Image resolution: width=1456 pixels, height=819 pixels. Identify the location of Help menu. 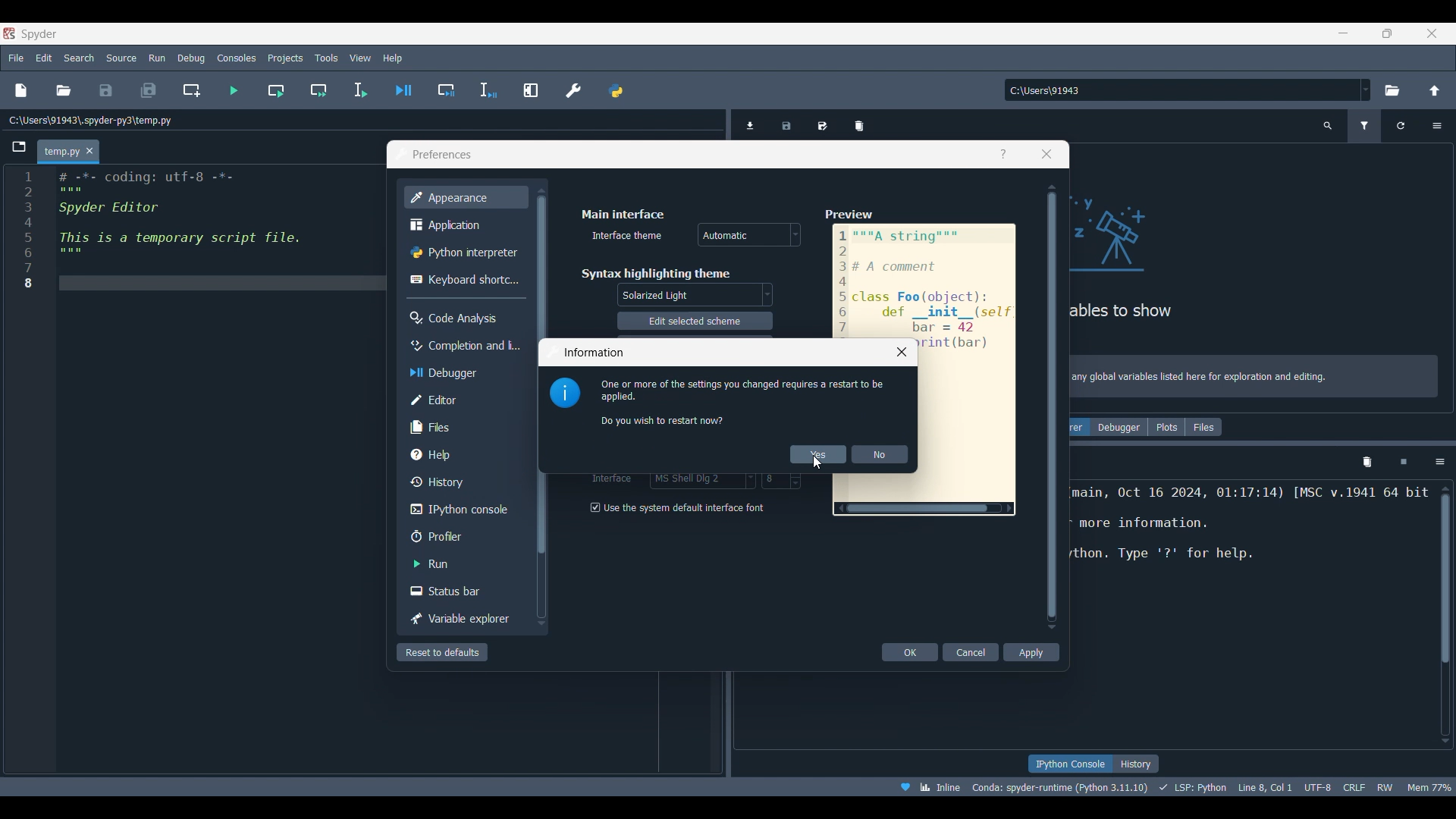
(393, 58).